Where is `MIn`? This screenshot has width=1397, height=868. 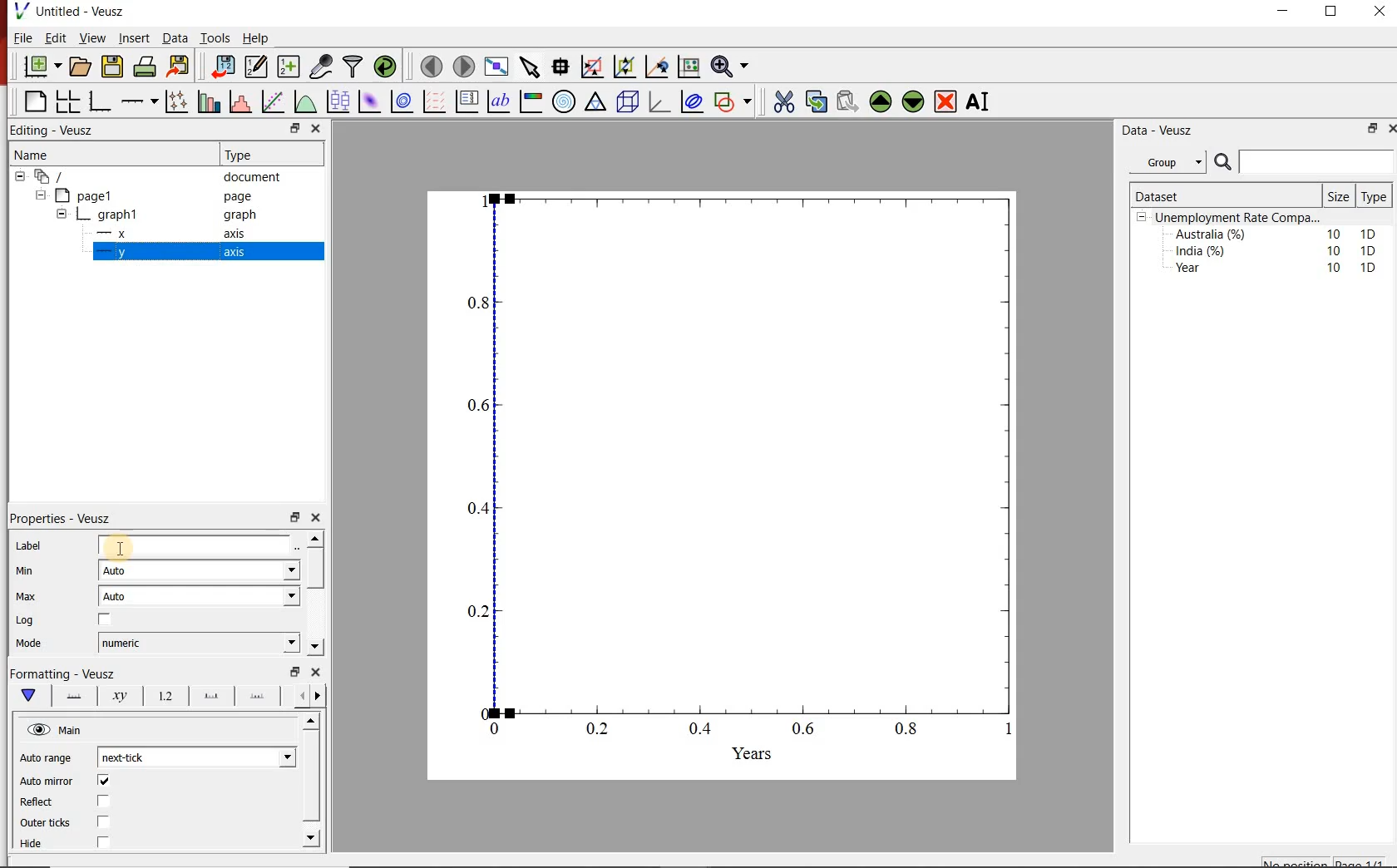
MIn is located at coordinates (36, 572).